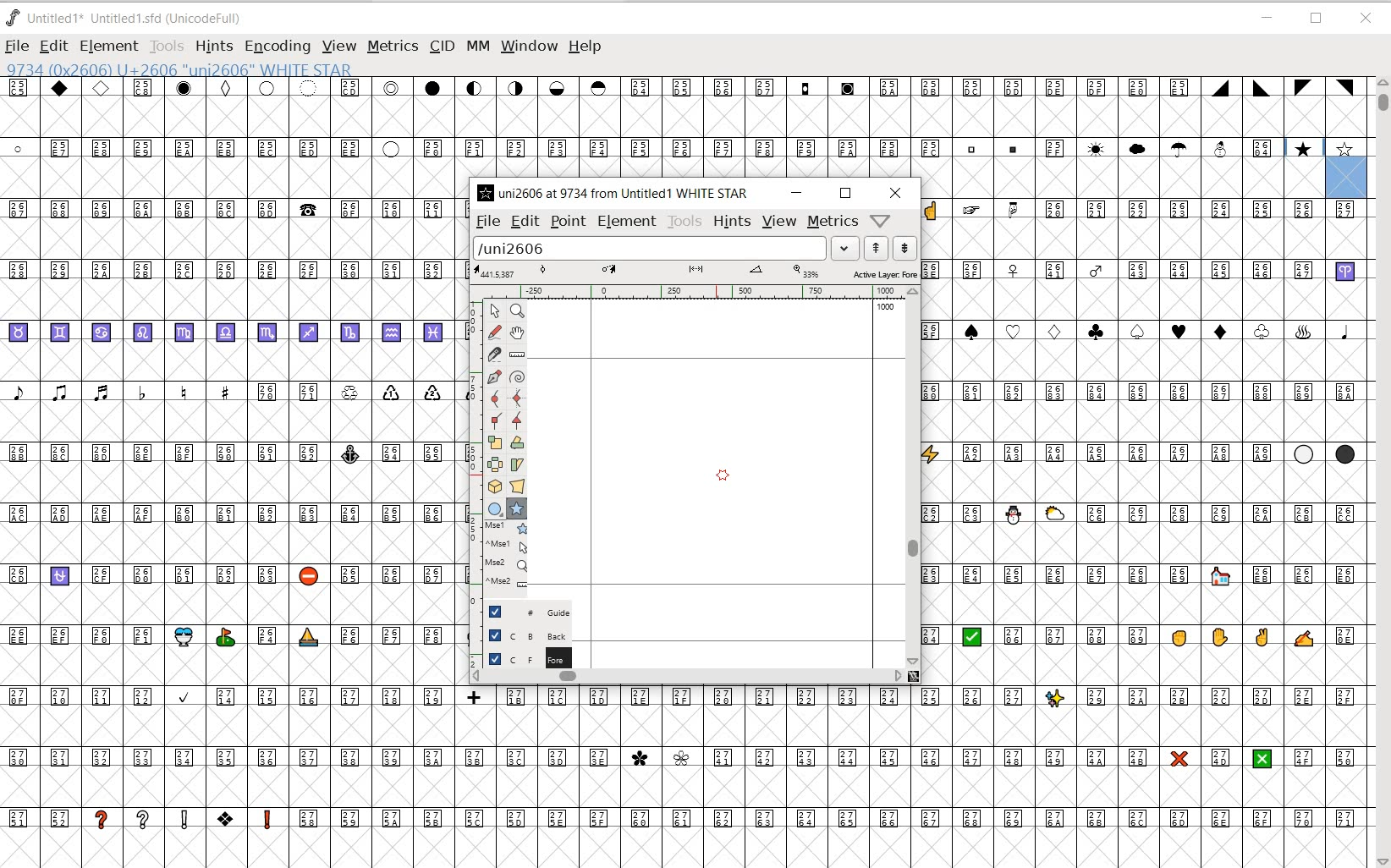 This screenshot has height=868, width=1391. I want to click on ROTATE THE SELECTION IN 3D, so click(498, 486).